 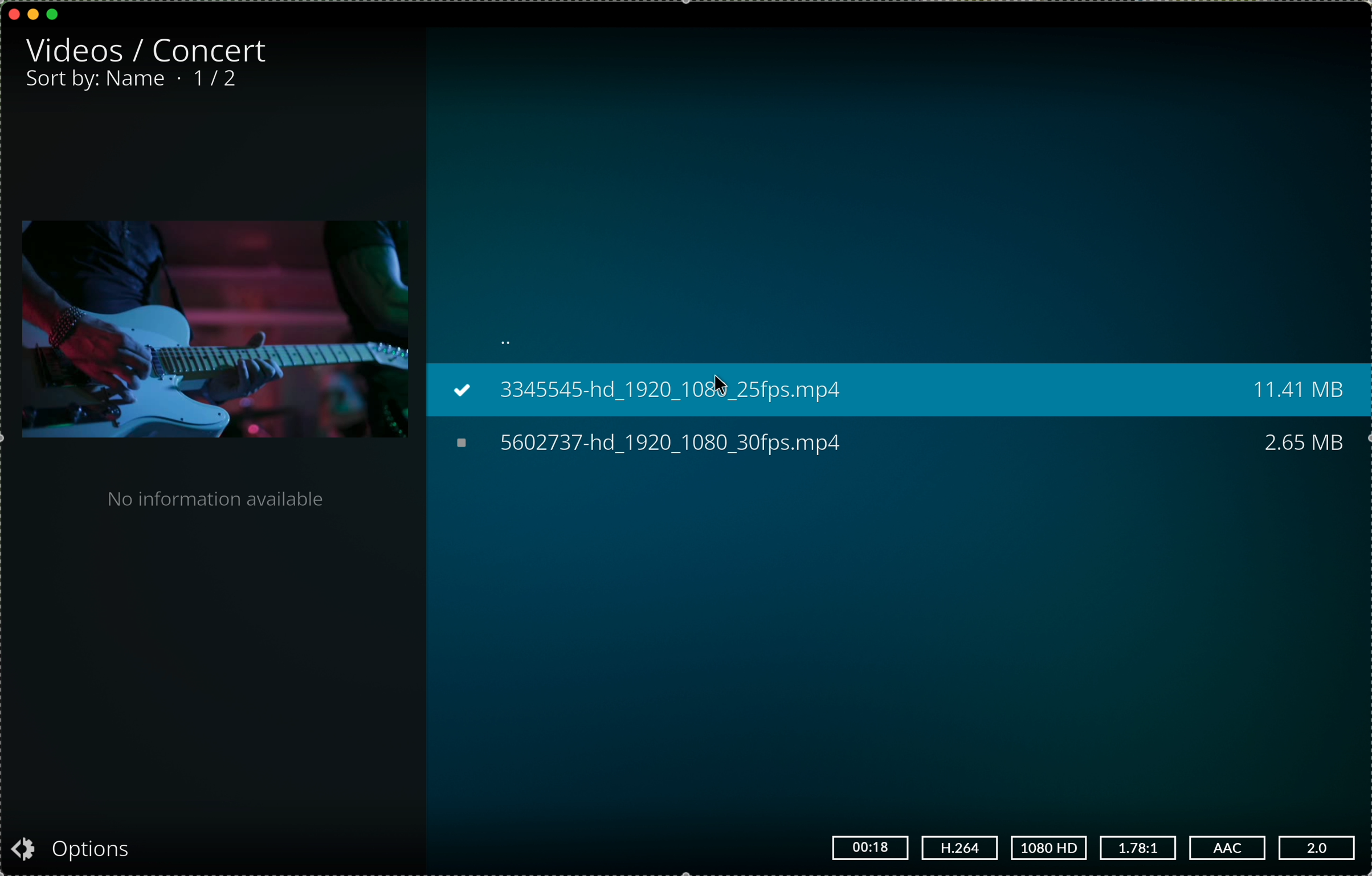 What do you see at coordinates (1228, 848) in the screenshot?
I see `AAC` at bounding box center [1228, 848].